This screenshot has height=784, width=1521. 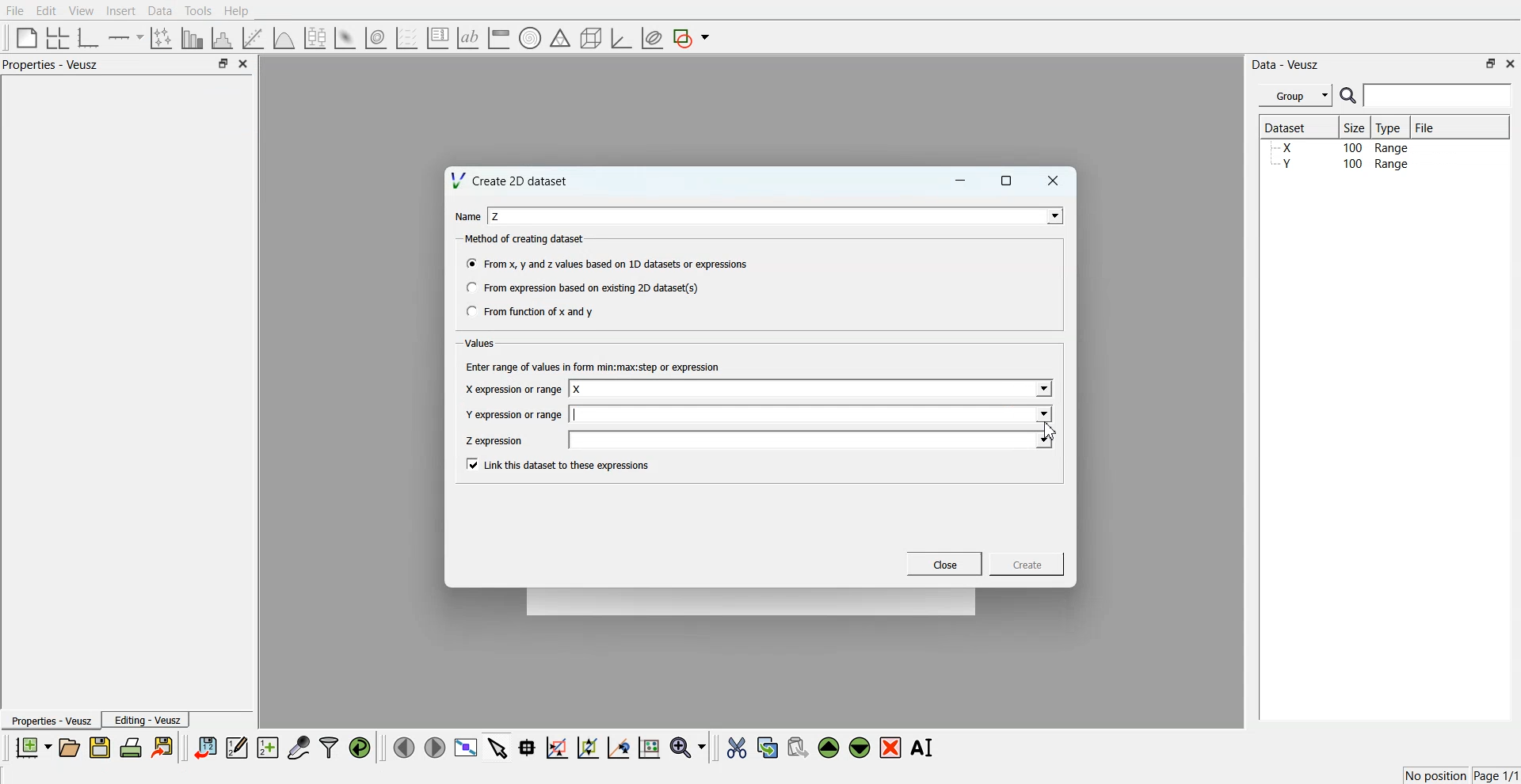 What do you see at coordinates (244, 63) in the screenshot?
I see `Close` at bounding box center [244, 63].